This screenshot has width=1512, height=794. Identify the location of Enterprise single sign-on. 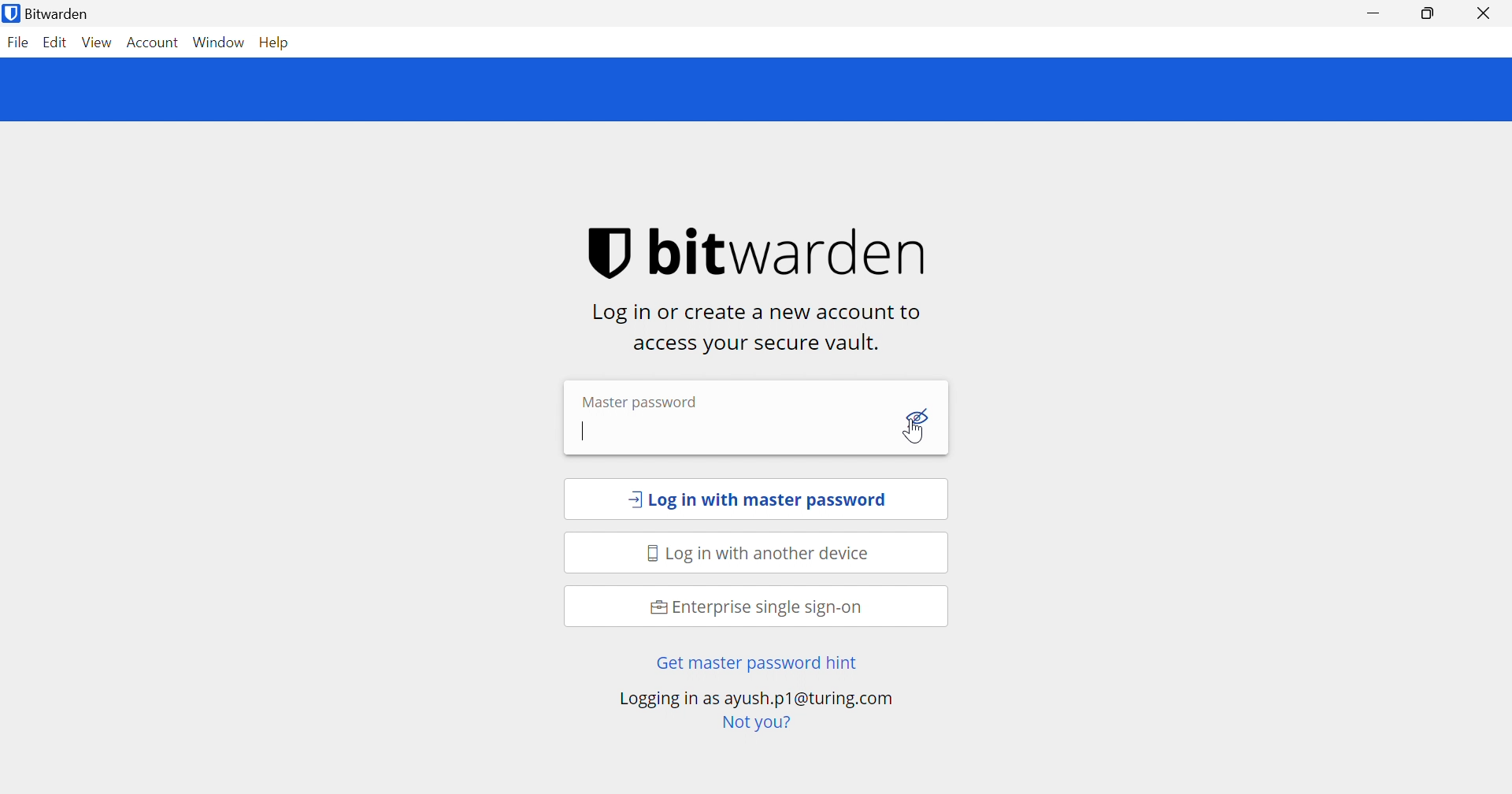
(757, 608).